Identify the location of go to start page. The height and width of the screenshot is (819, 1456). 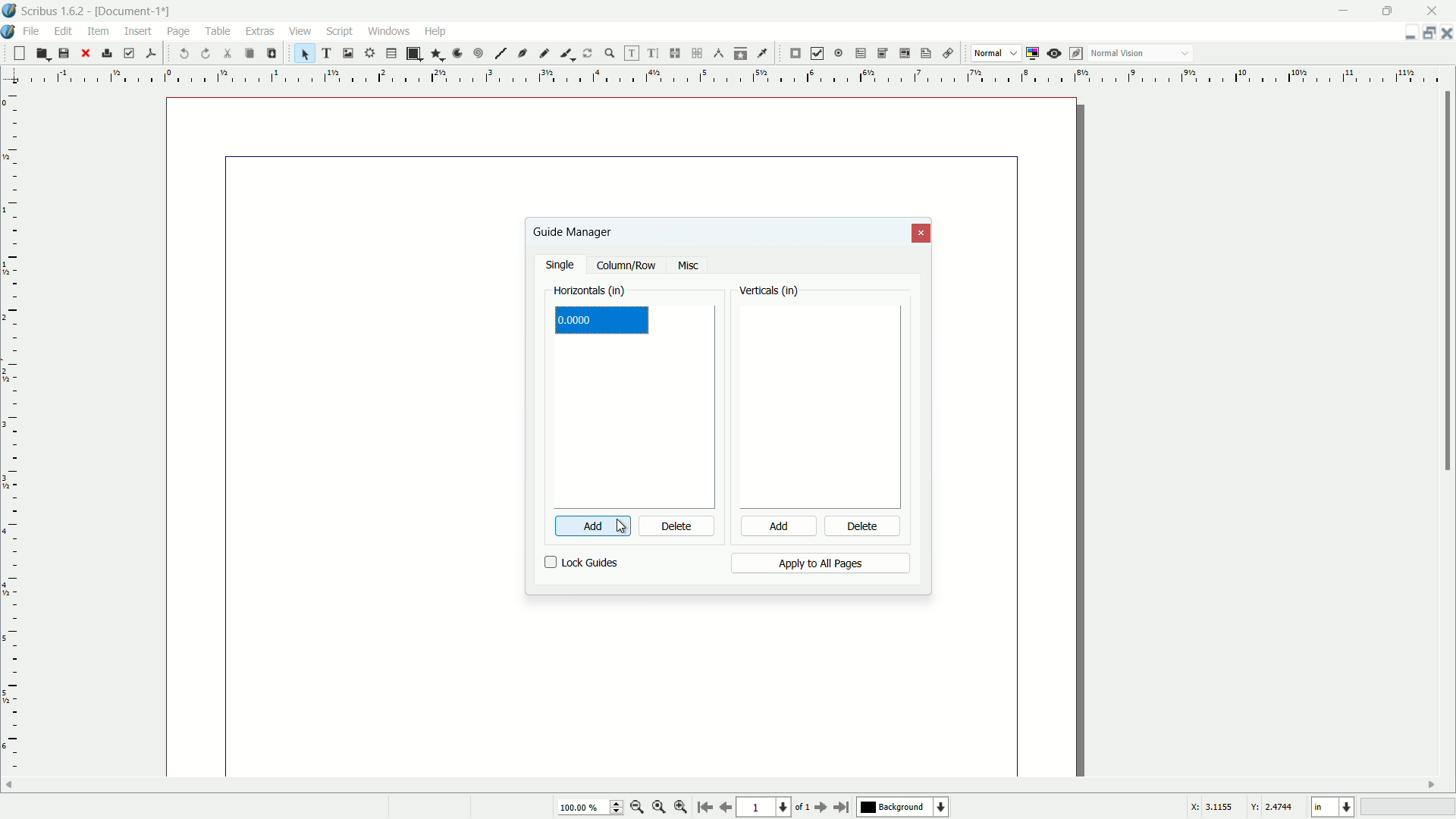
(703, 808).